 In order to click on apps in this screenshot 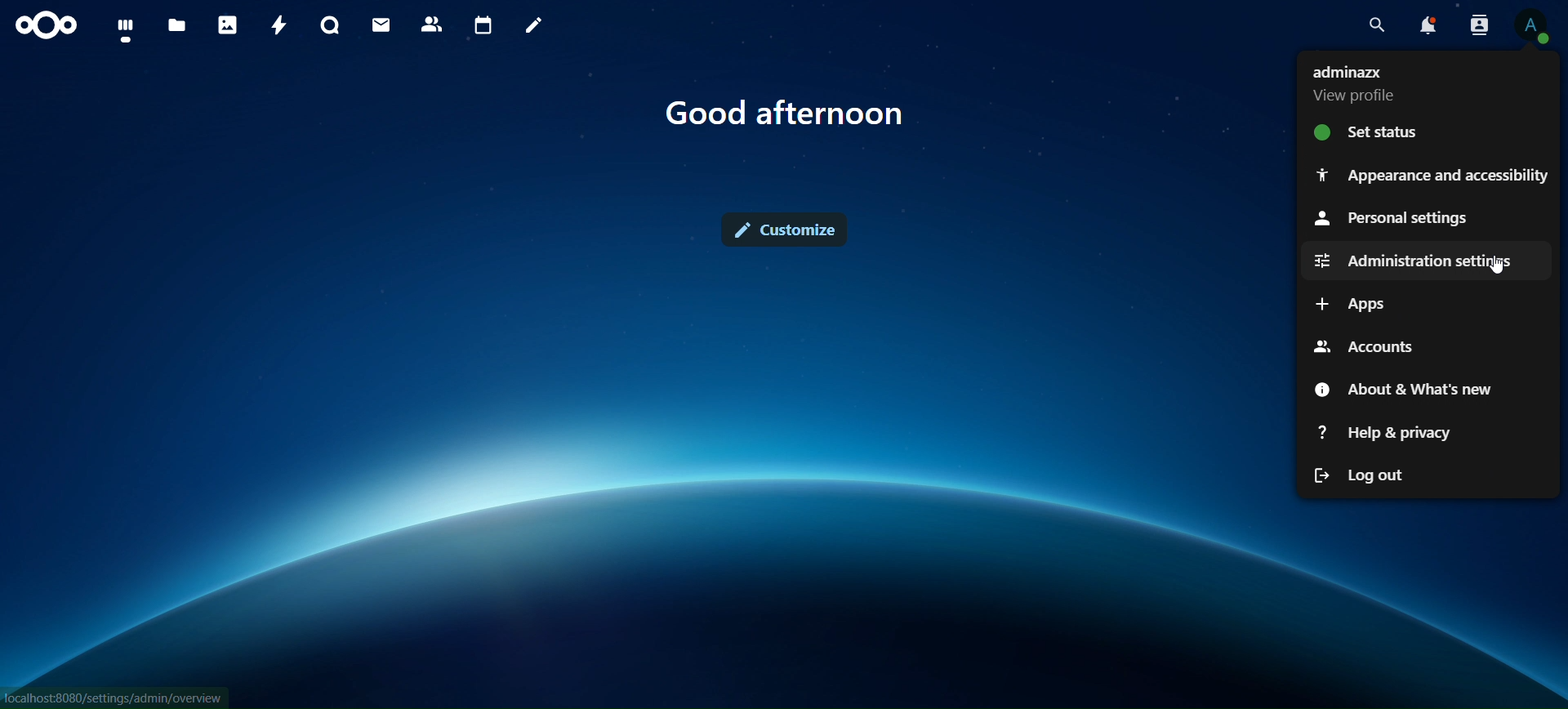, I will do `click(1350, 305)`.